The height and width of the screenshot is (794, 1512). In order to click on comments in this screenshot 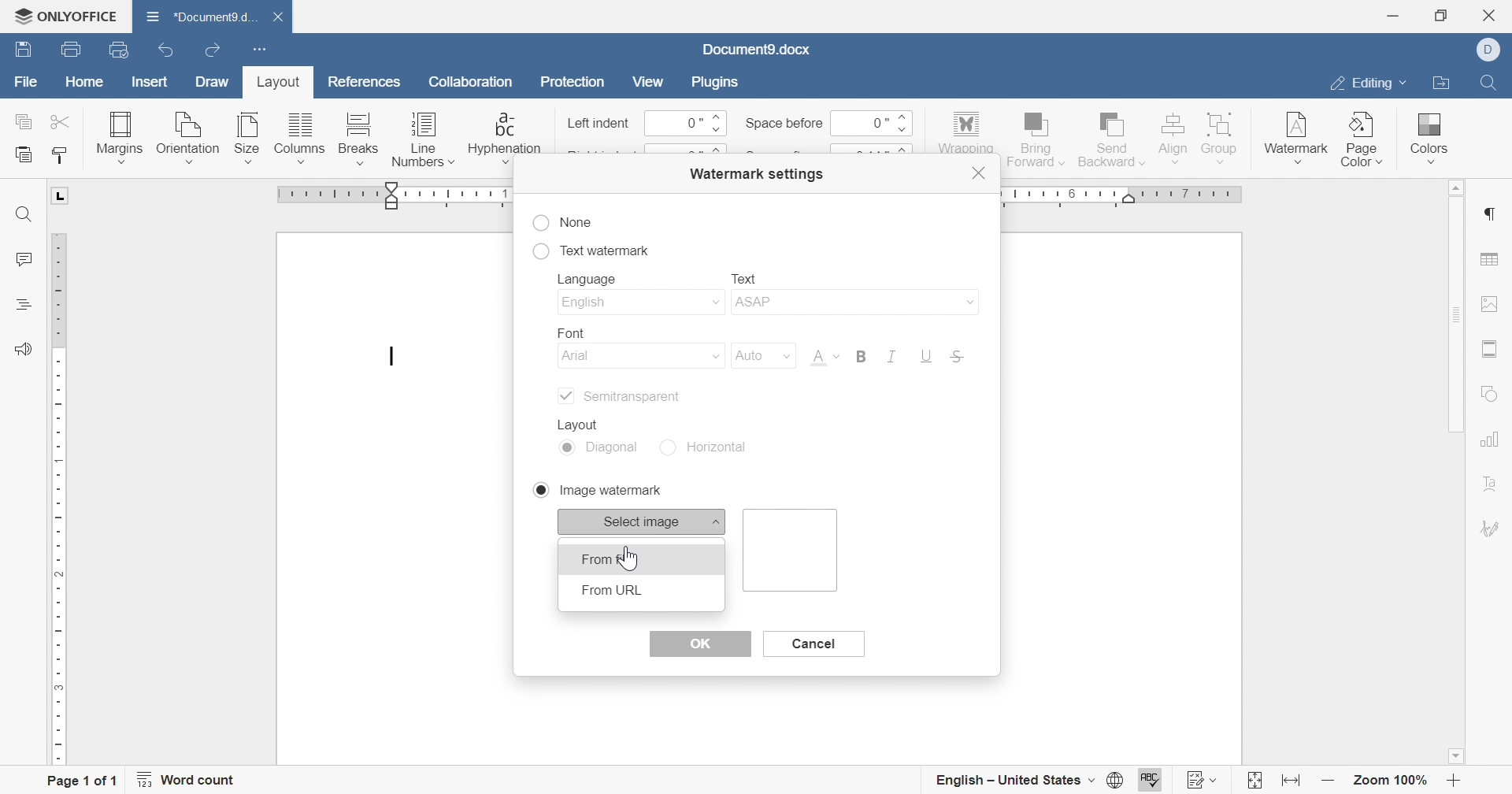, I will do `click(21, 260)`.